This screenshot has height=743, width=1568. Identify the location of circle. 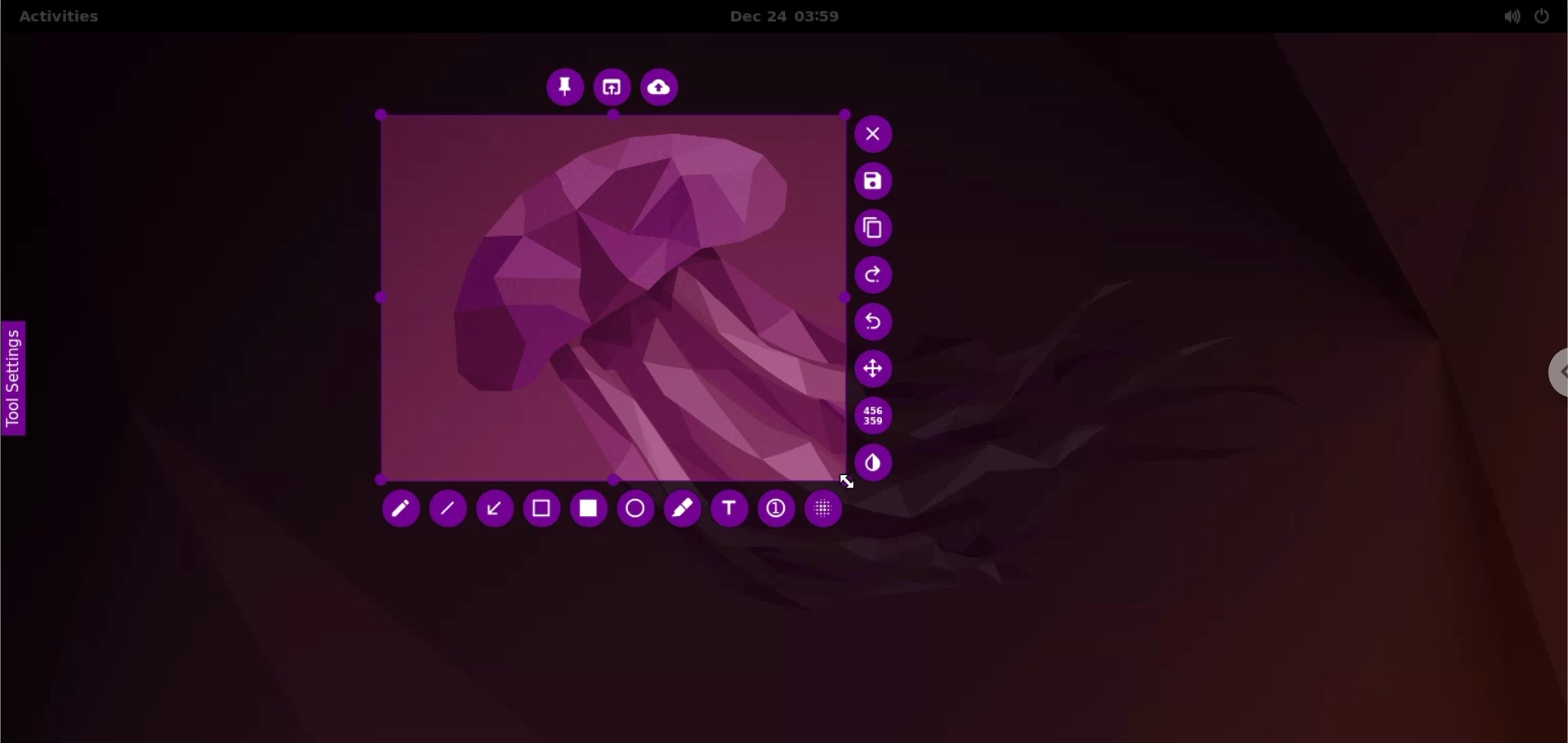
(634, 510).